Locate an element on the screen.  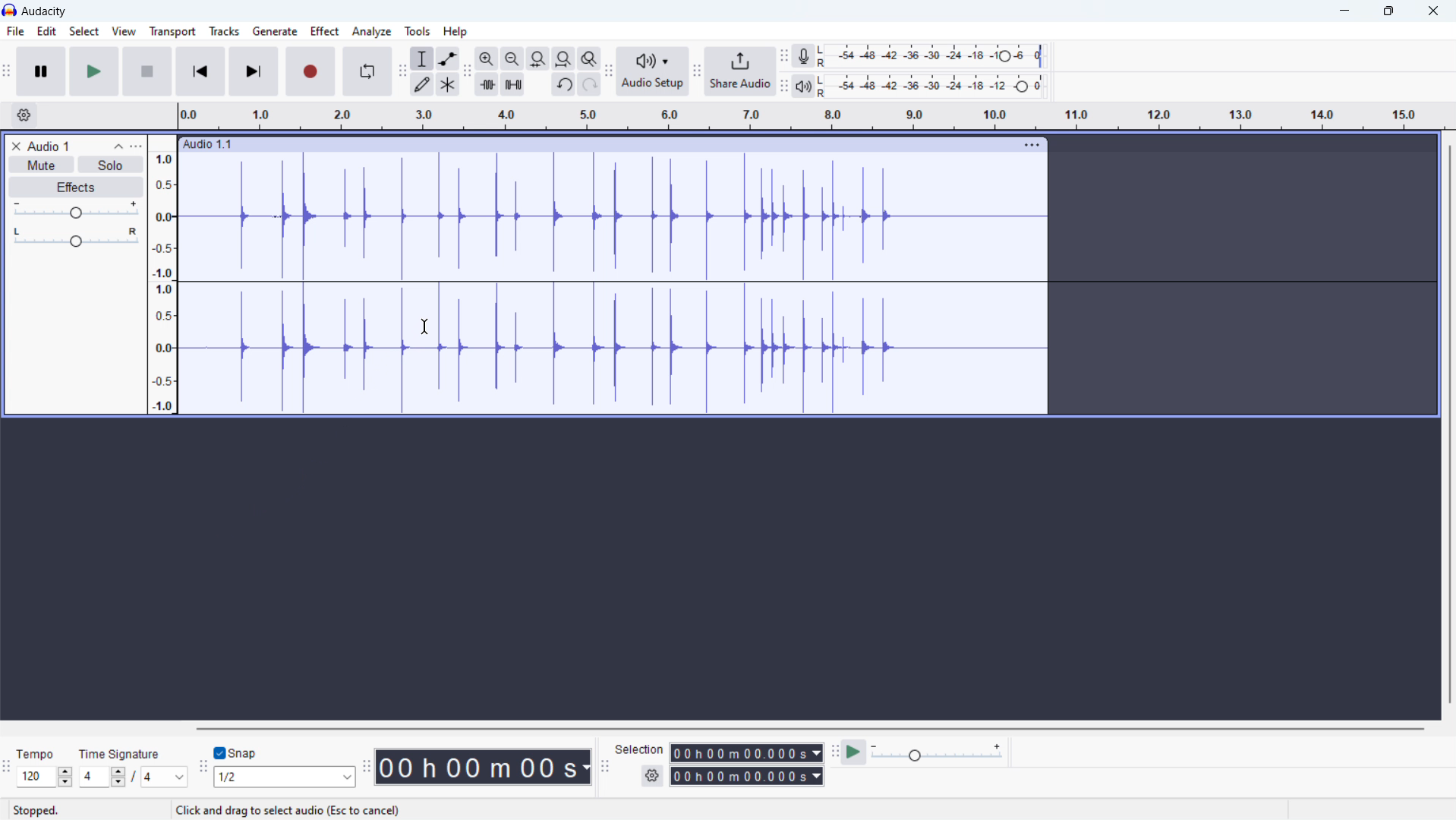
settings is located at coordinates (653, 775).